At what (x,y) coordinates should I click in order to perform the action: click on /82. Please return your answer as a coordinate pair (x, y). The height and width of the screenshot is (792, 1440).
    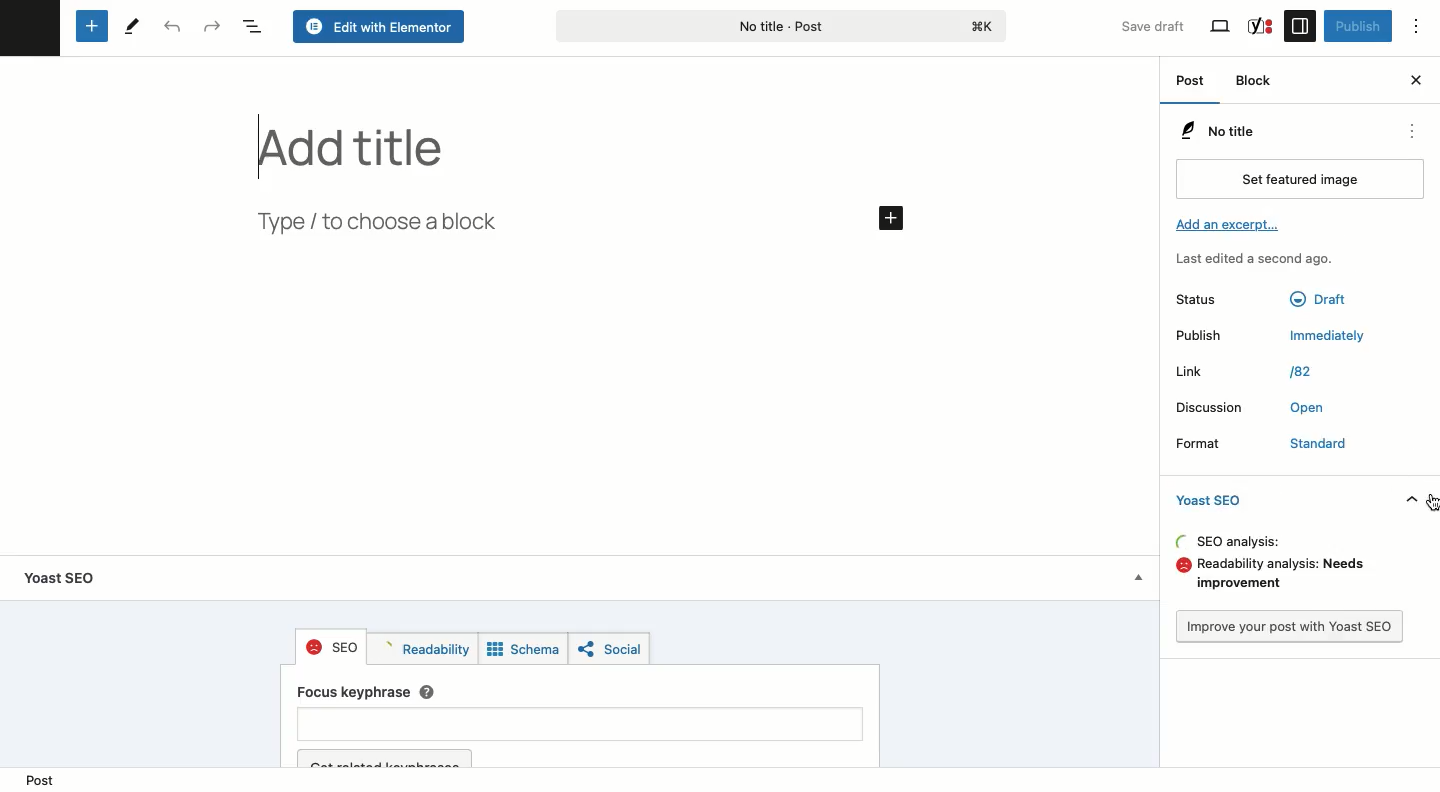
    Looking at the image, I should click on (1300, 372).